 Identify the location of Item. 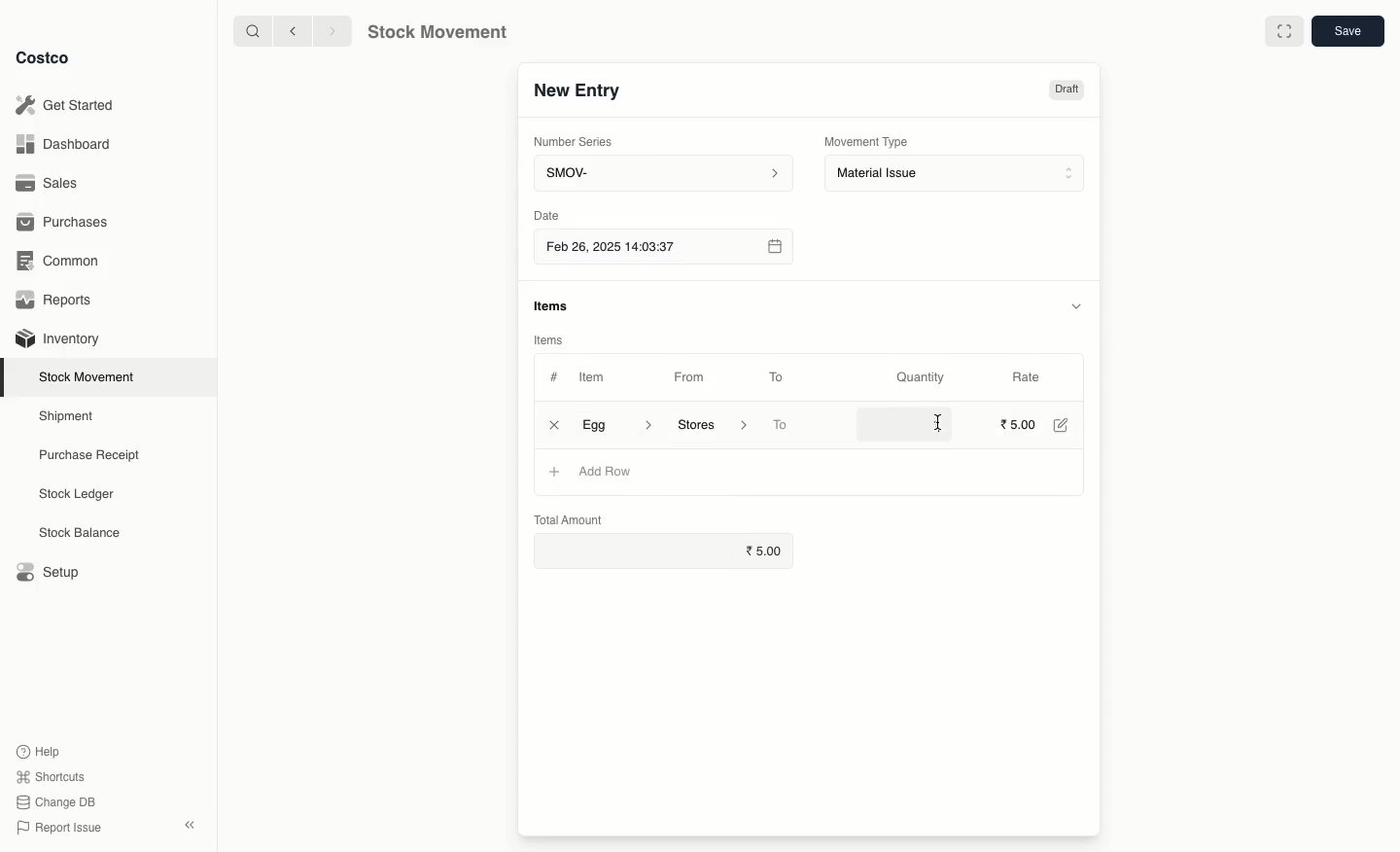
(602, 376).